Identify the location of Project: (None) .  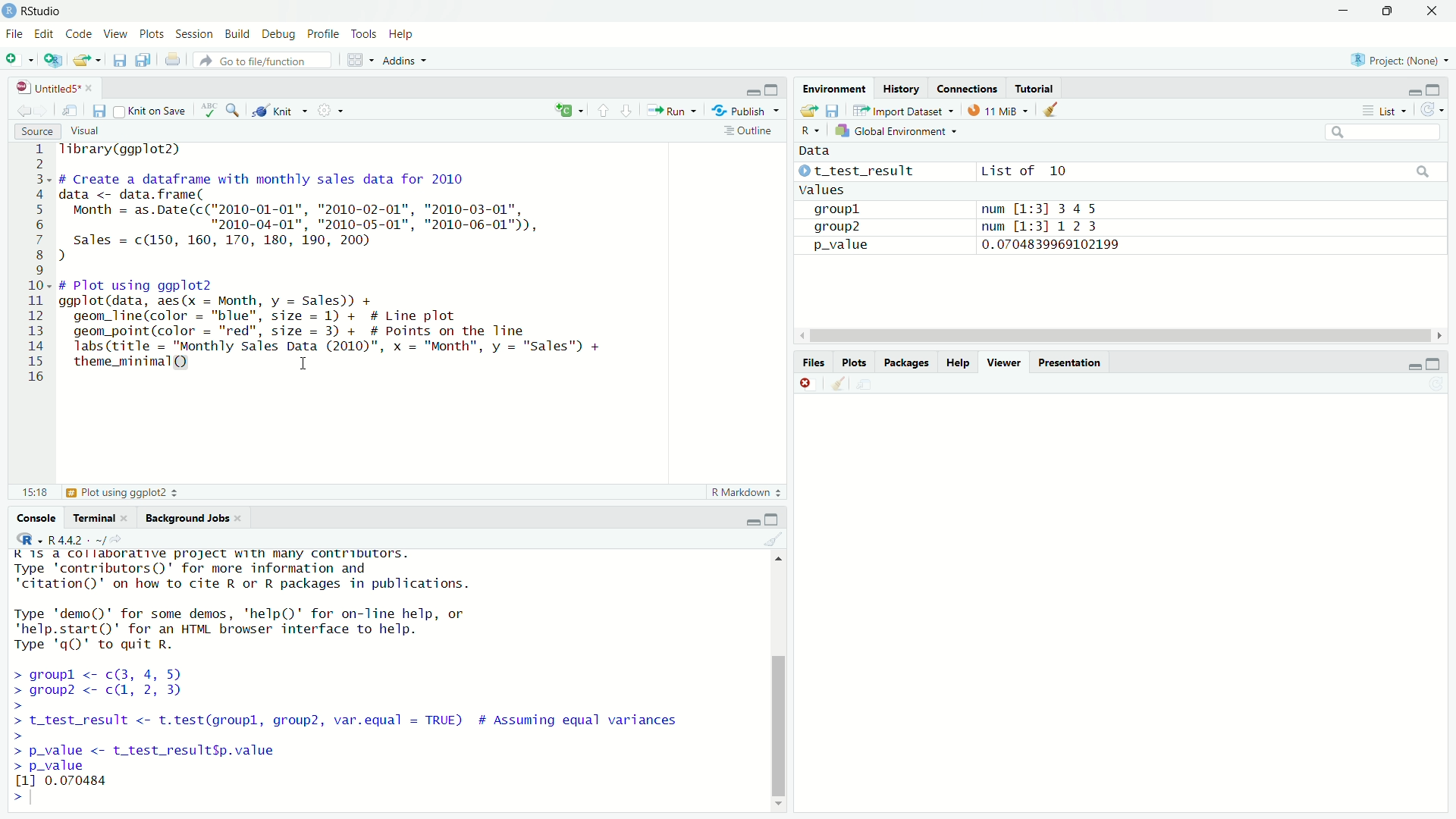
(1403, 58).